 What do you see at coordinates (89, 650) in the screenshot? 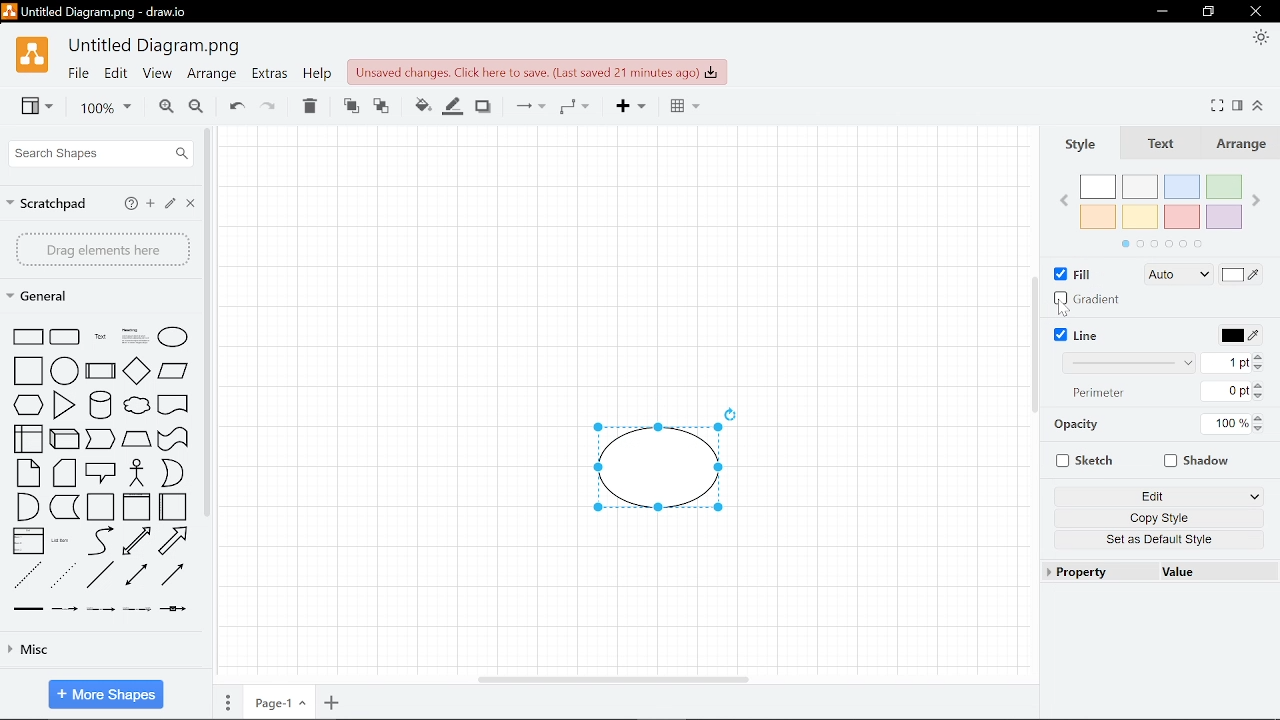
I see `Misc shapes` at bounding box center [89, 650].